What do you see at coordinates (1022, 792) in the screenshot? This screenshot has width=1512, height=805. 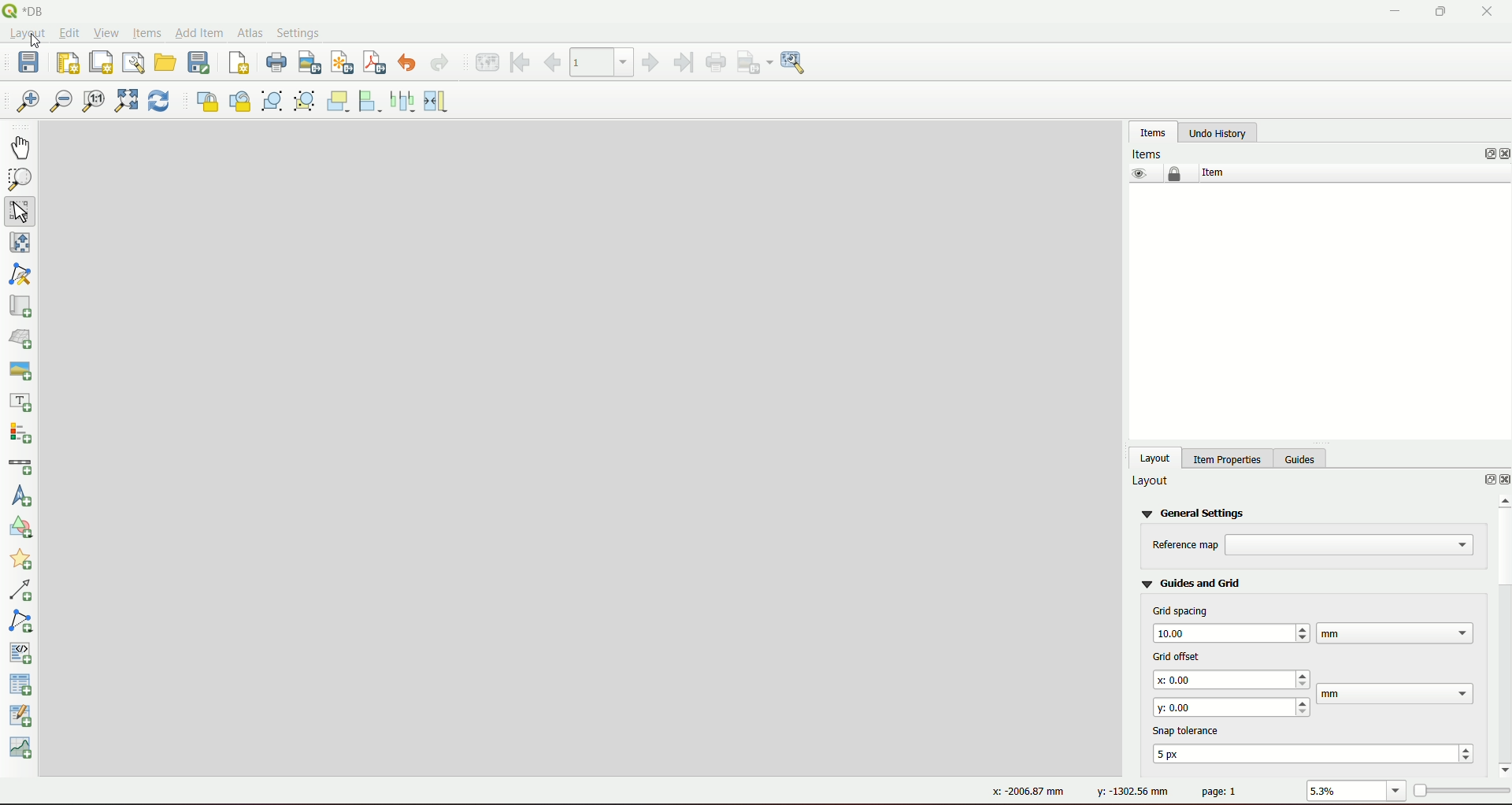 I see `x: -2006.87 mm` at bounding box center [1022, 792].